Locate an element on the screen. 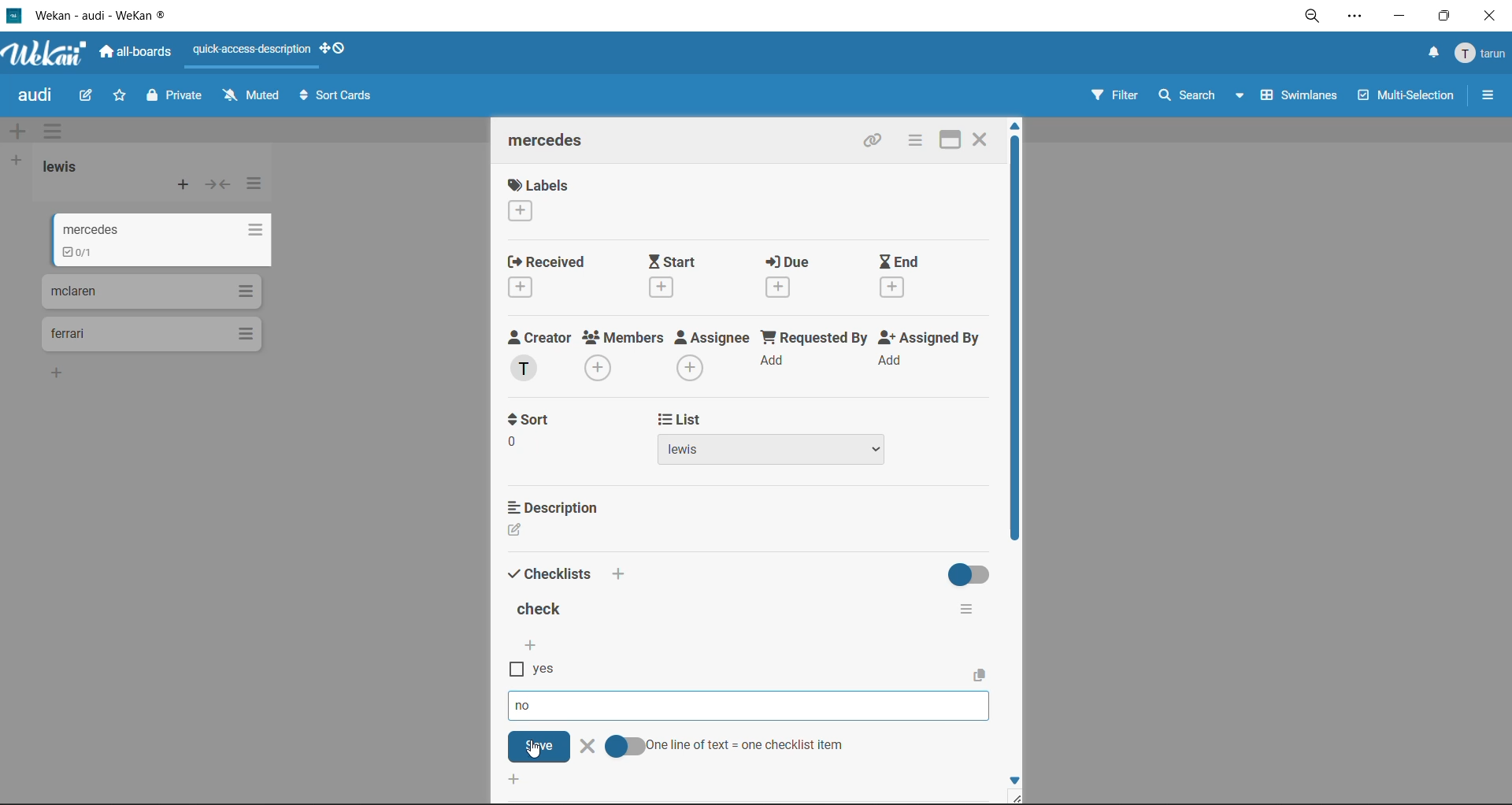 Image resolution: width=1512 pixels, height=805 pixels. muted is located at coordinates (250, 96).